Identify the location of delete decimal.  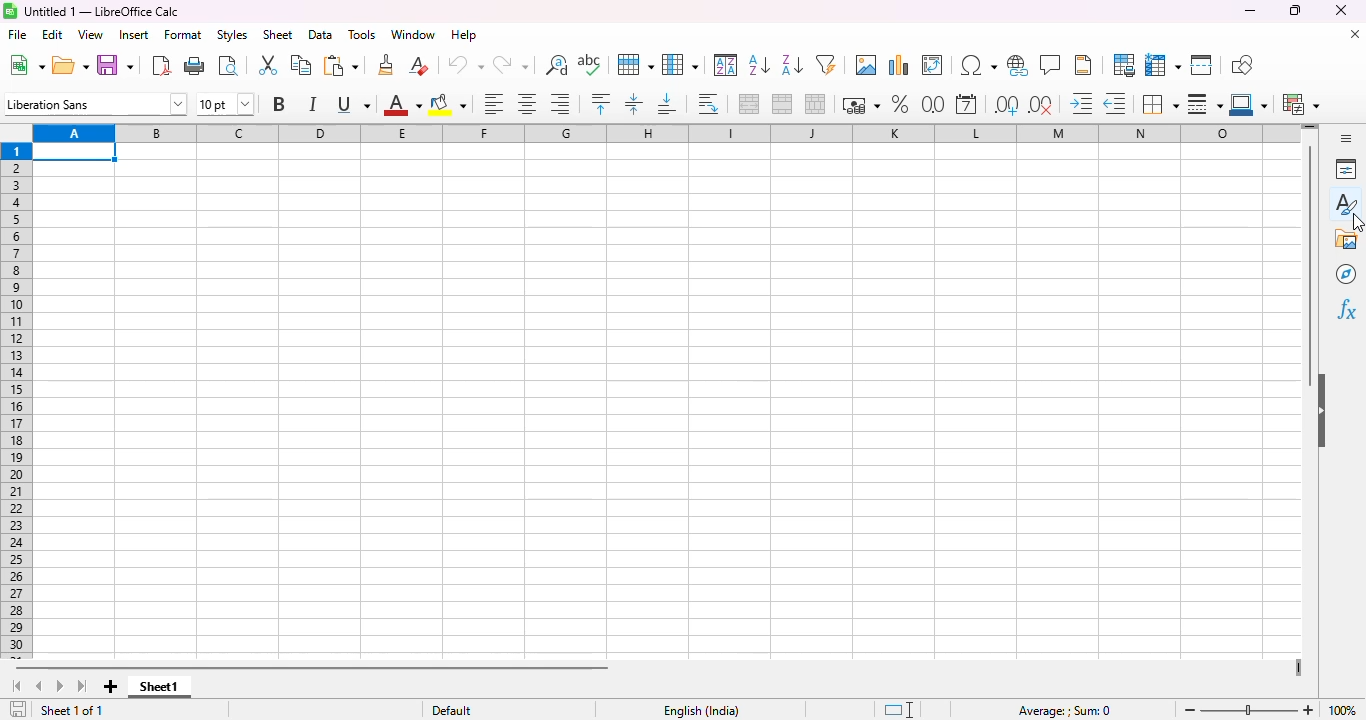
(1042, 105).